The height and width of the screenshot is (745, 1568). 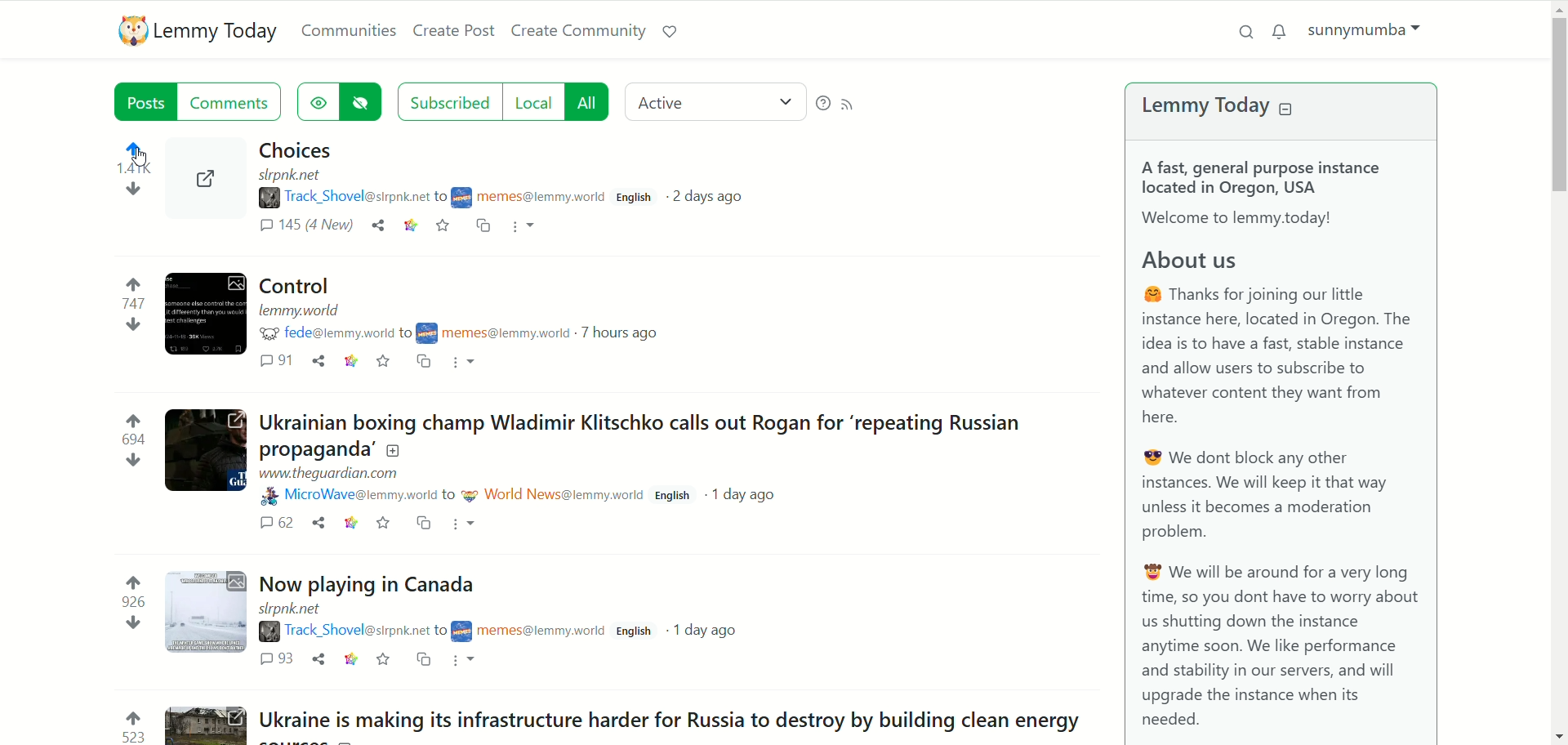 What do you see at coordinates (713, 101) in the screenshot?
I see `active` at bounding box center [713, 101].